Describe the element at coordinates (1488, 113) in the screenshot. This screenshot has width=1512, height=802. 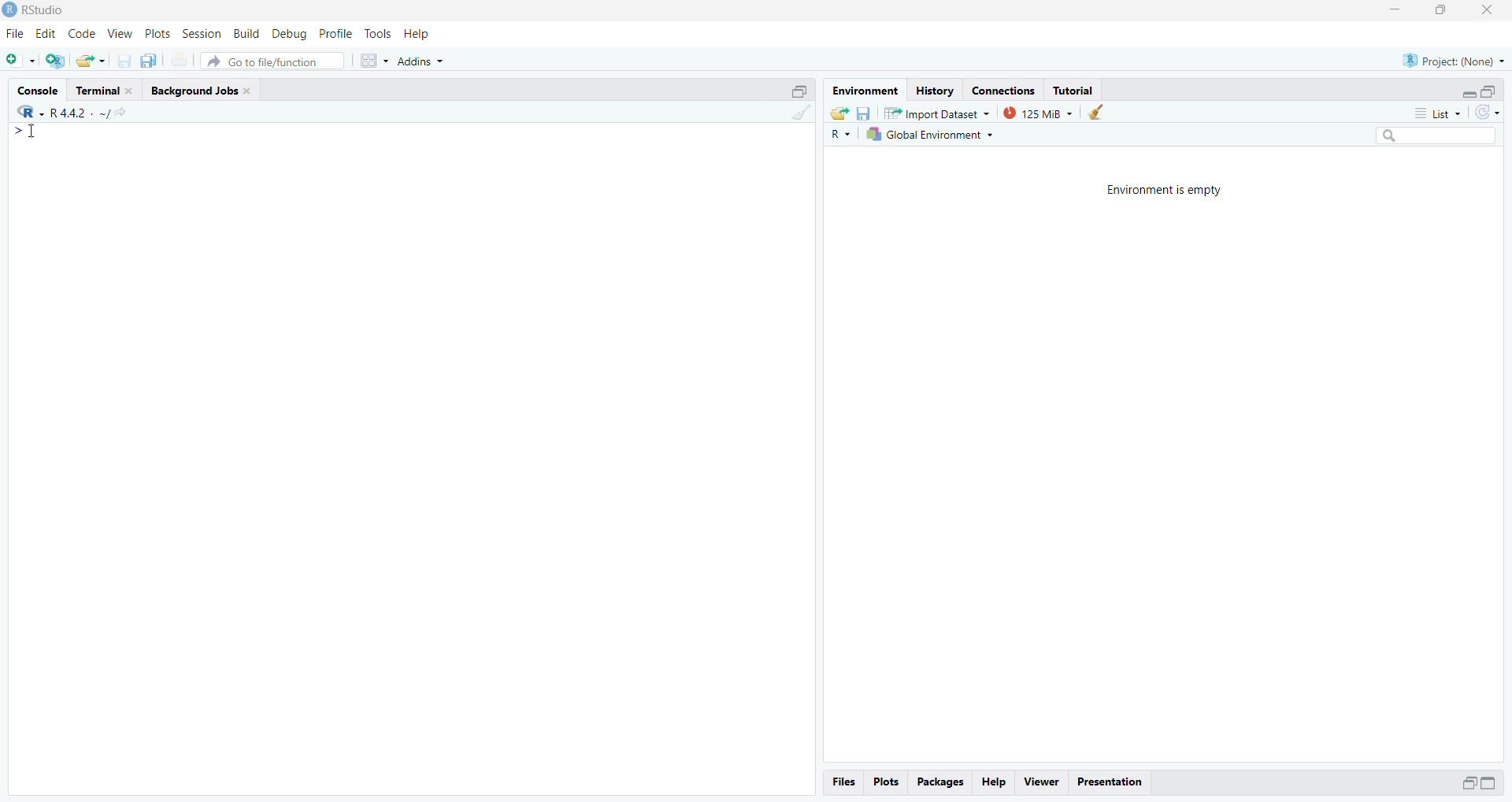
I see `refresh` at that location.